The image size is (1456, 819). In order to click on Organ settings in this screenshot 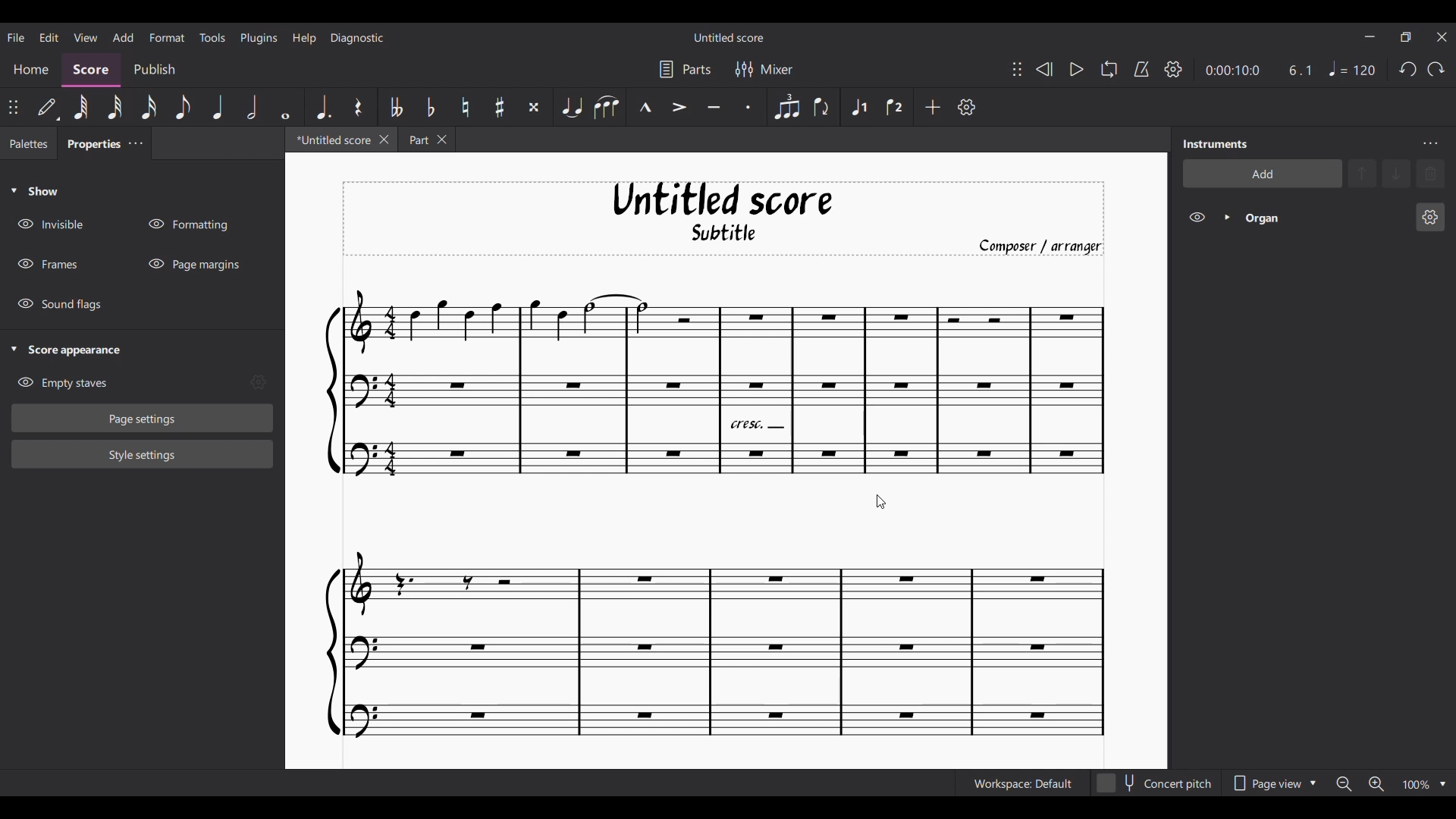, I will do `click(1429, 217)`.